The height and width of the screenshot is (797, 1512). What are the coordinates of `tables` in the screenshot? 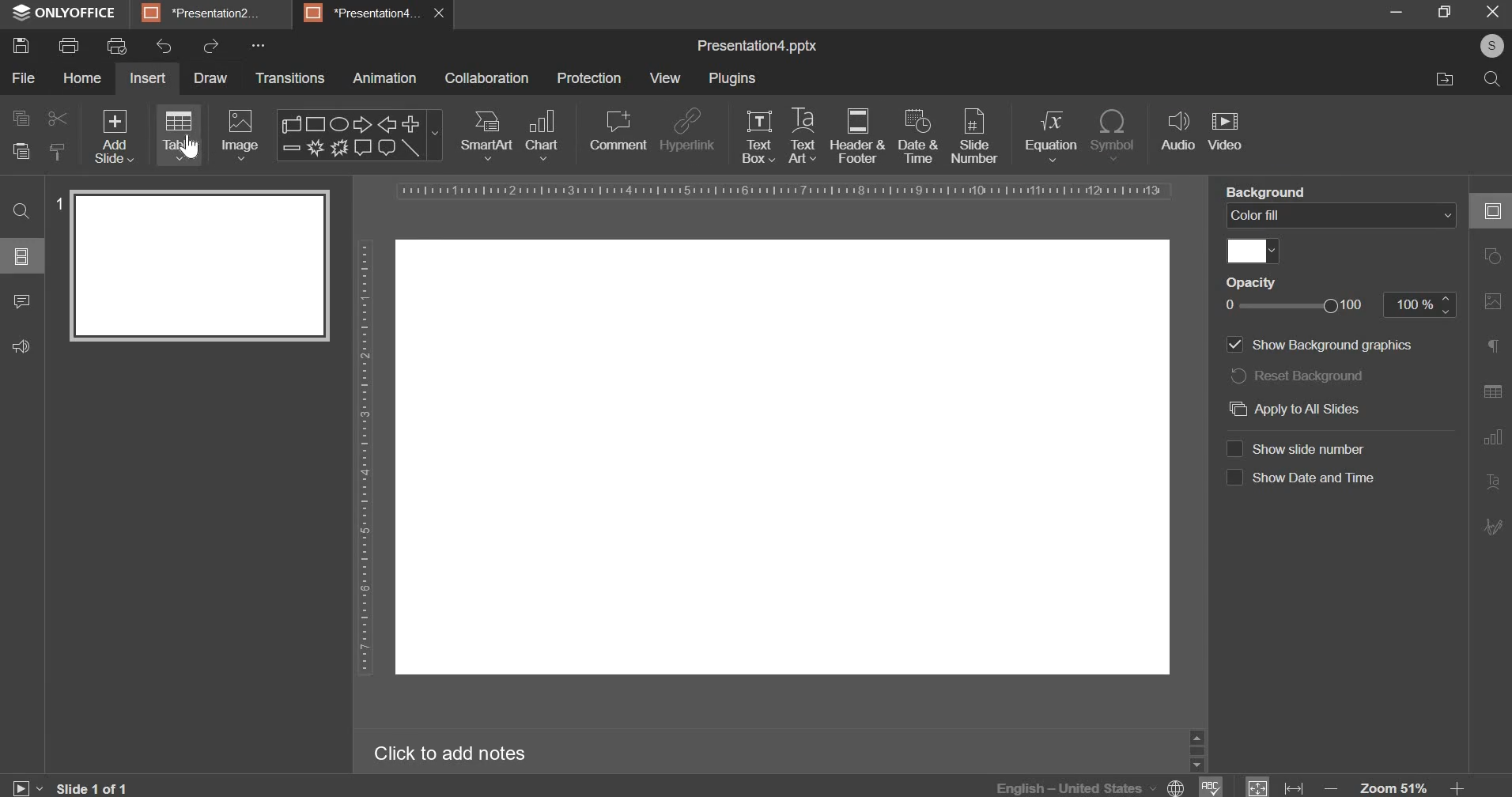 It's located at (179, 134).